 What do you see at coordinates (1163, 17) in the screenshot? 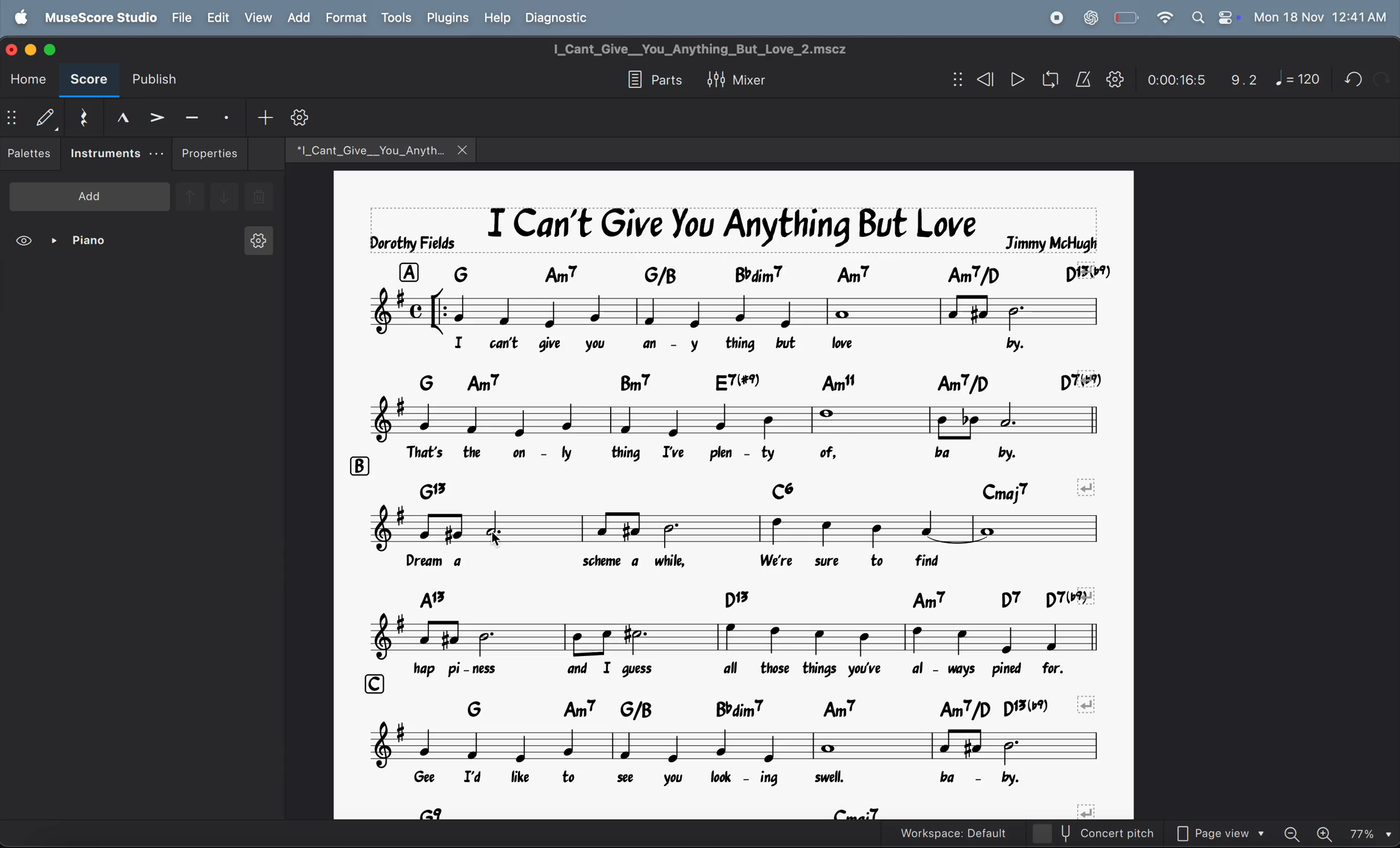
I see `wifi` at bounding box center [1163, 17].